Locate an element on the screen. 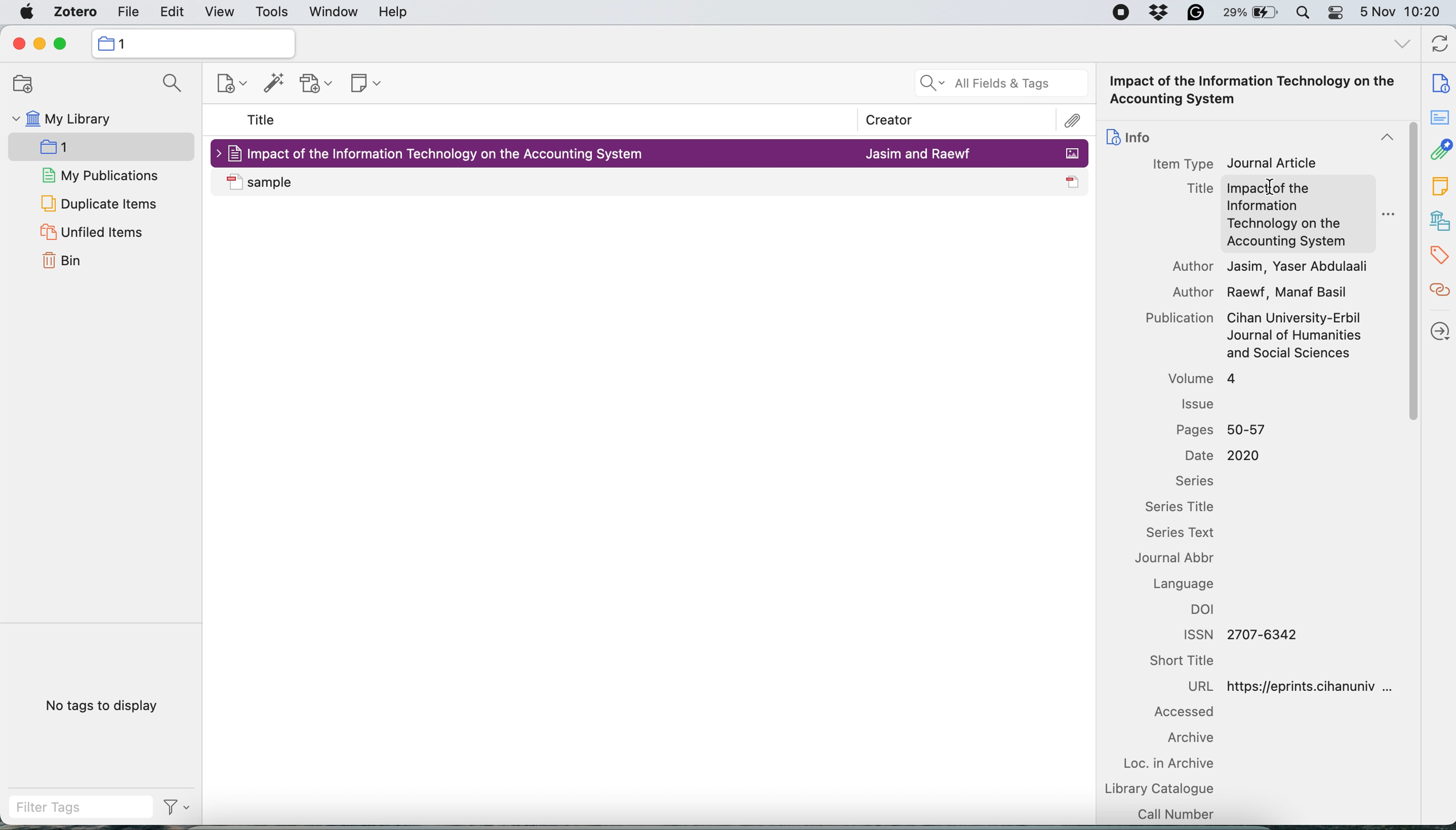  dropbox is located at coordinates (1160, 13).